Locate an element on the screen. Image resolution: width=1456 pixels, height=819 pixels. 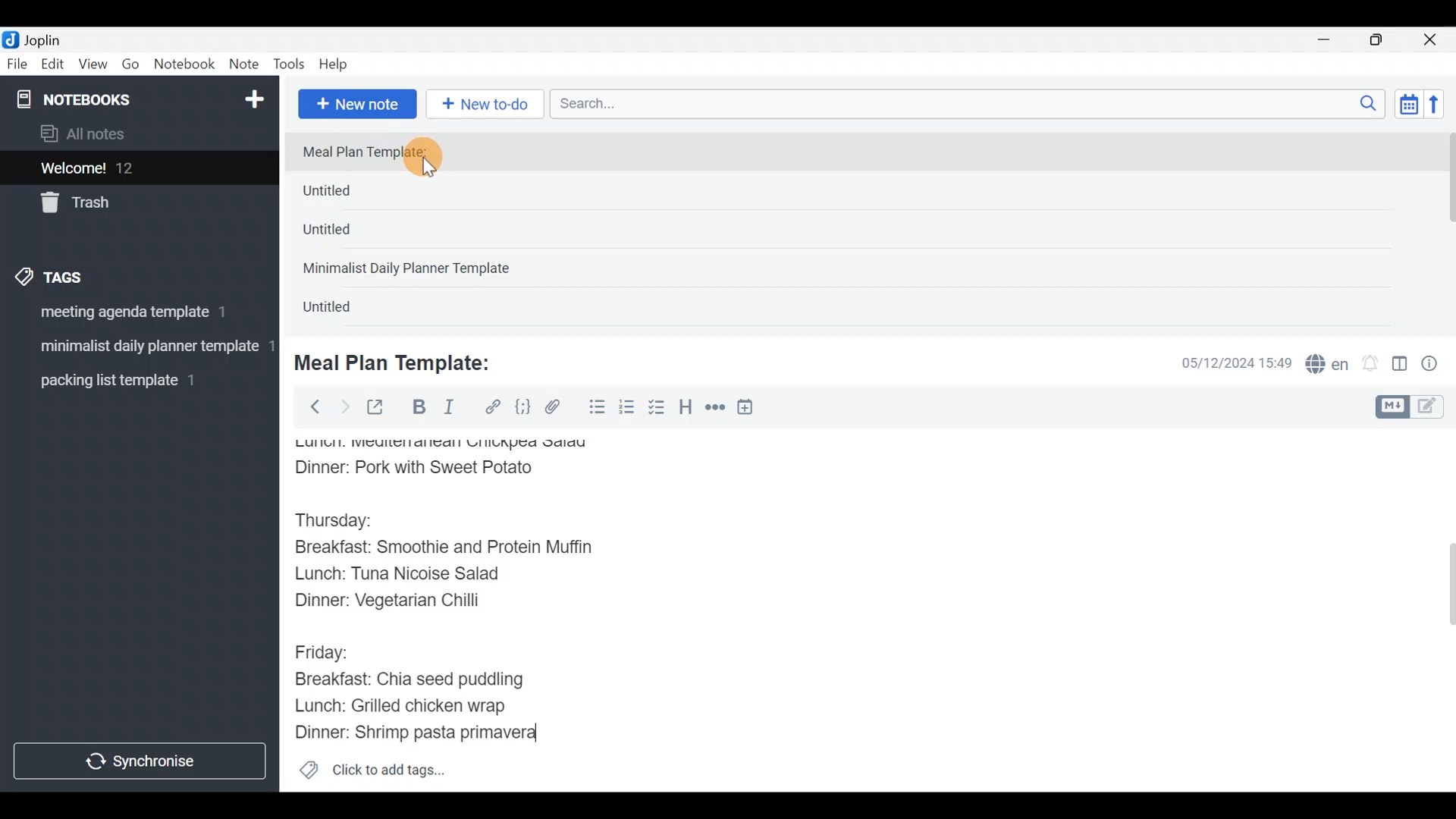
Tag 2 is located at coordinates (139, 348).